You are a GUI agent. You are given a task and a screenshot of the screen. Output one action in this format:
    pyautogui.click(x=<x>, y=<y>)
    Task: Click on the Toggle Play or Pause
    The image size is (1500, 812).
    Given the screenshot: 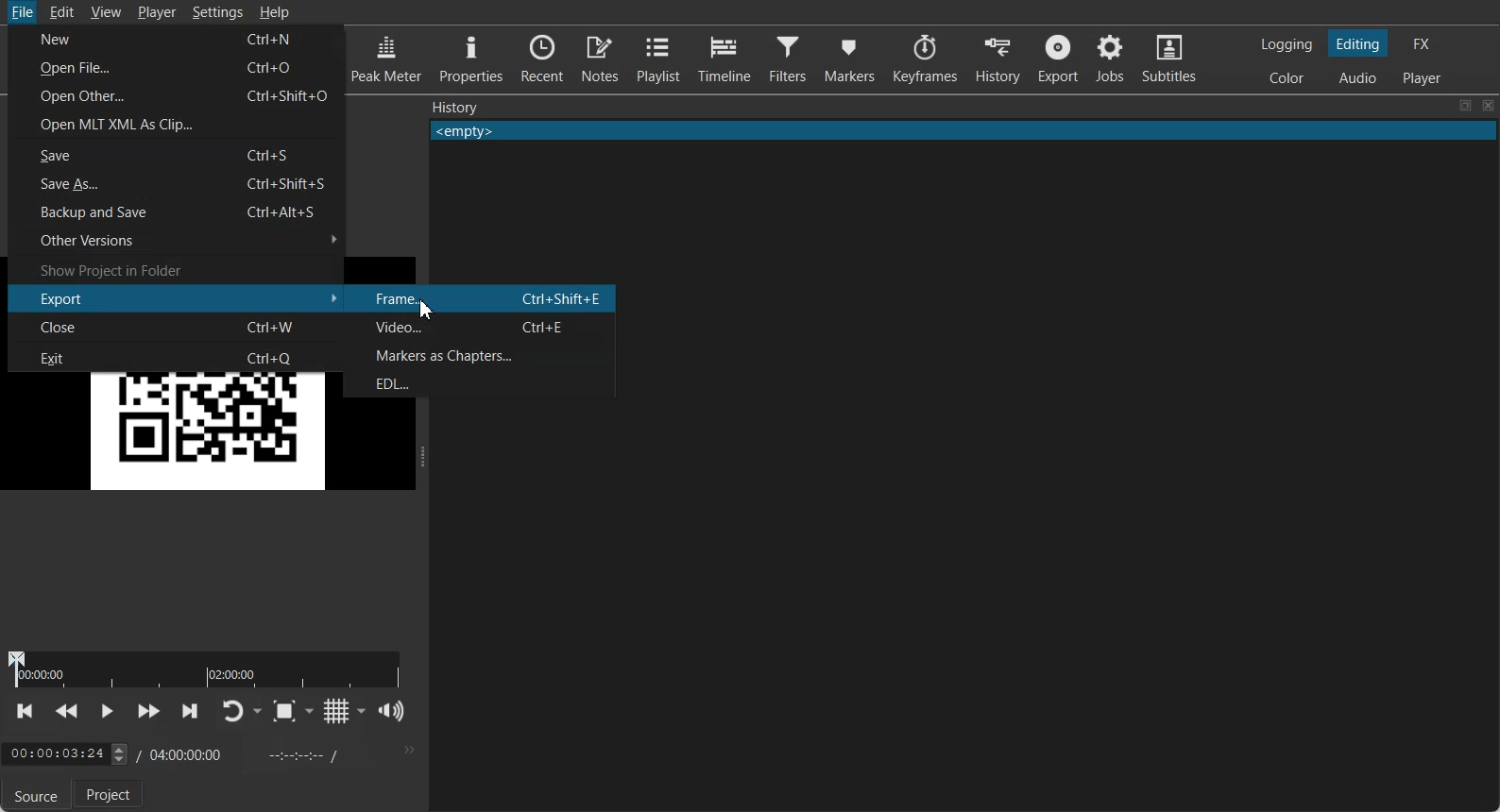 What is the action you would take?
    pyautogui.click(x=105, y=713)
    